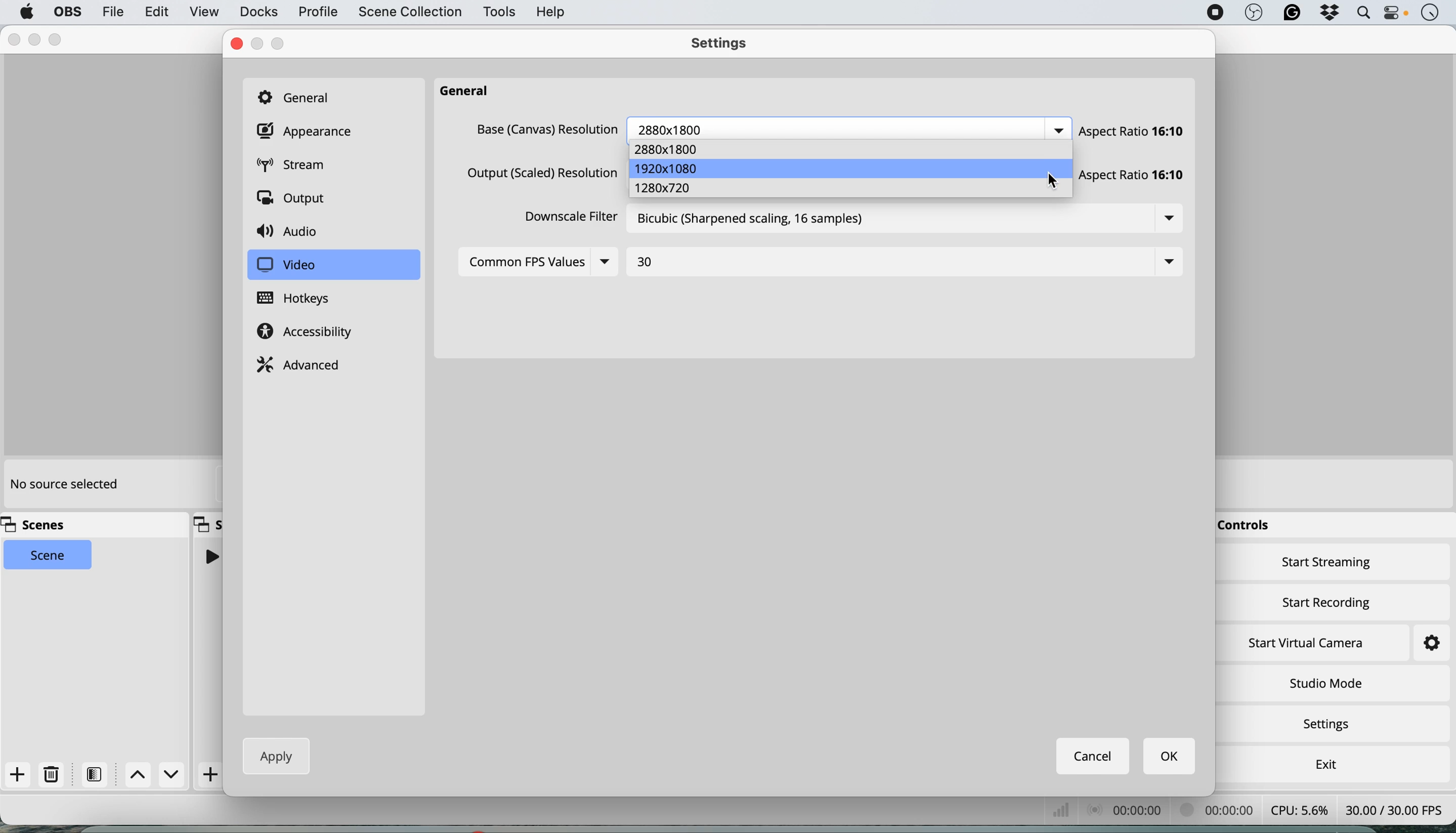  Describe the element at coordinates (112, 11) in the screenshot. I see `file` at that location.